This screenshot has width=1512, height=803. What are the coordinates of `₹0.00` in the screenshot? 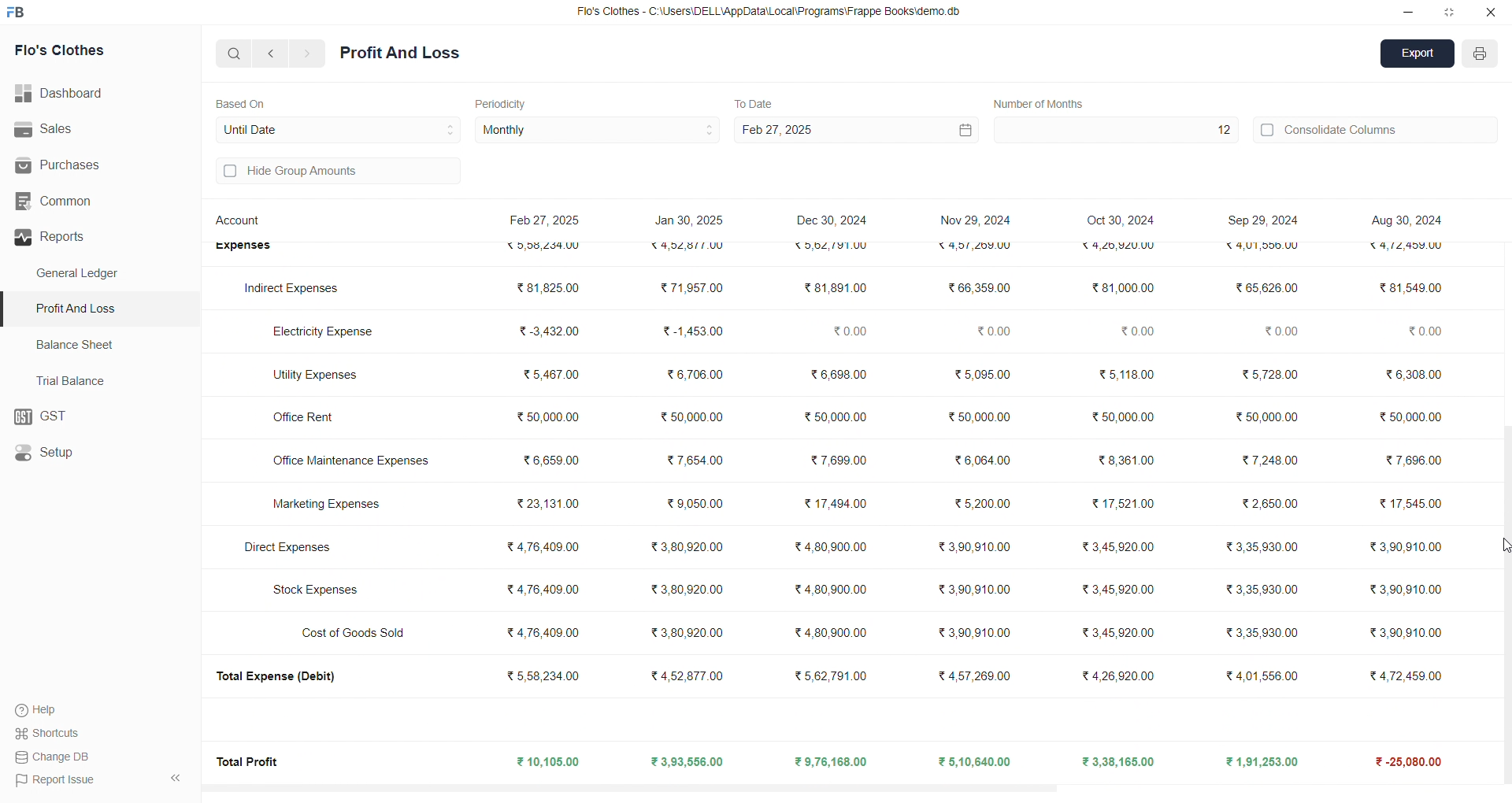 It's located at (994, 331).